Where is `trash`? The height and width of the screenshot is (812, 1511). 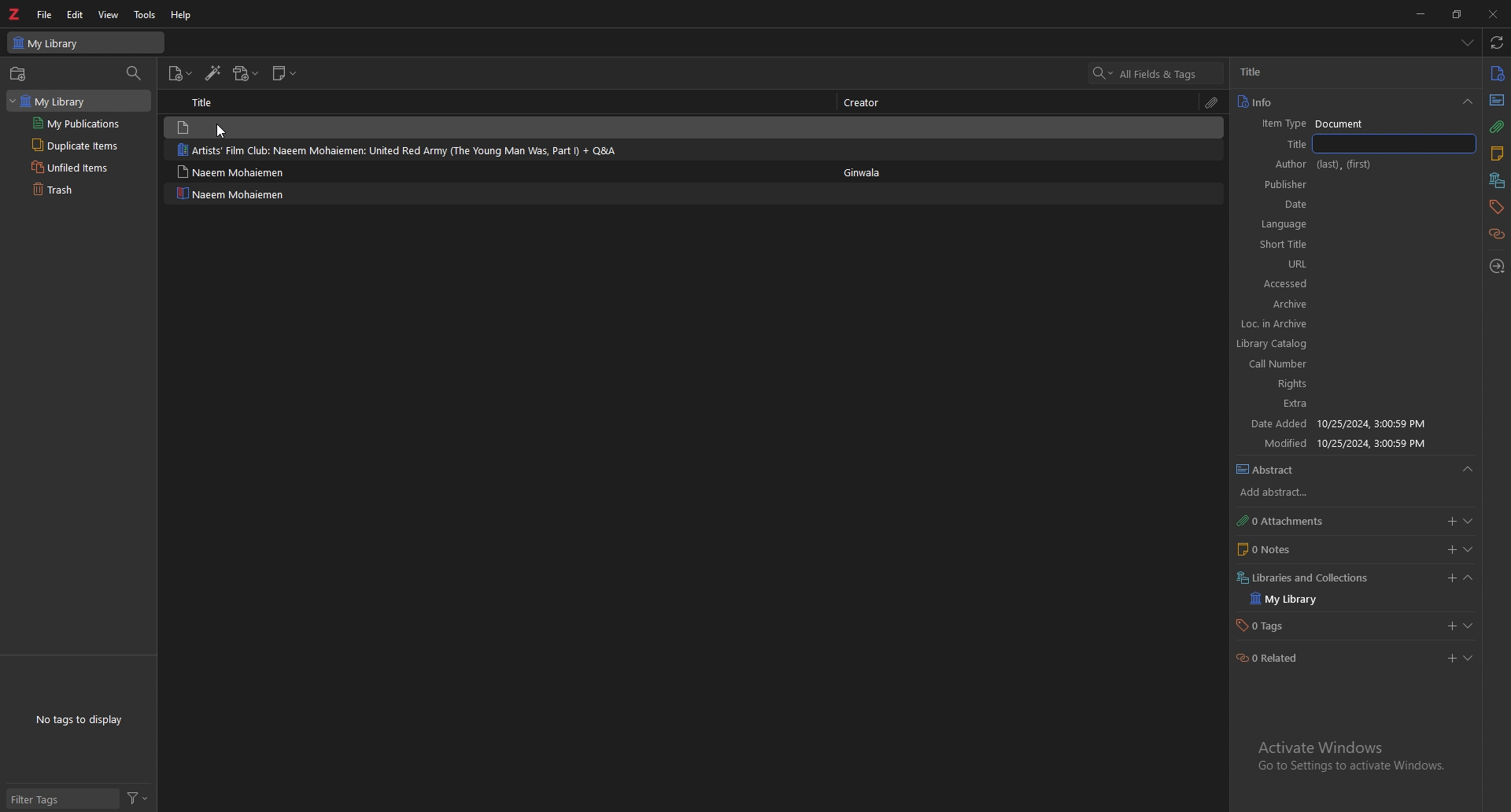 trash is located at coordinates (74, 190).